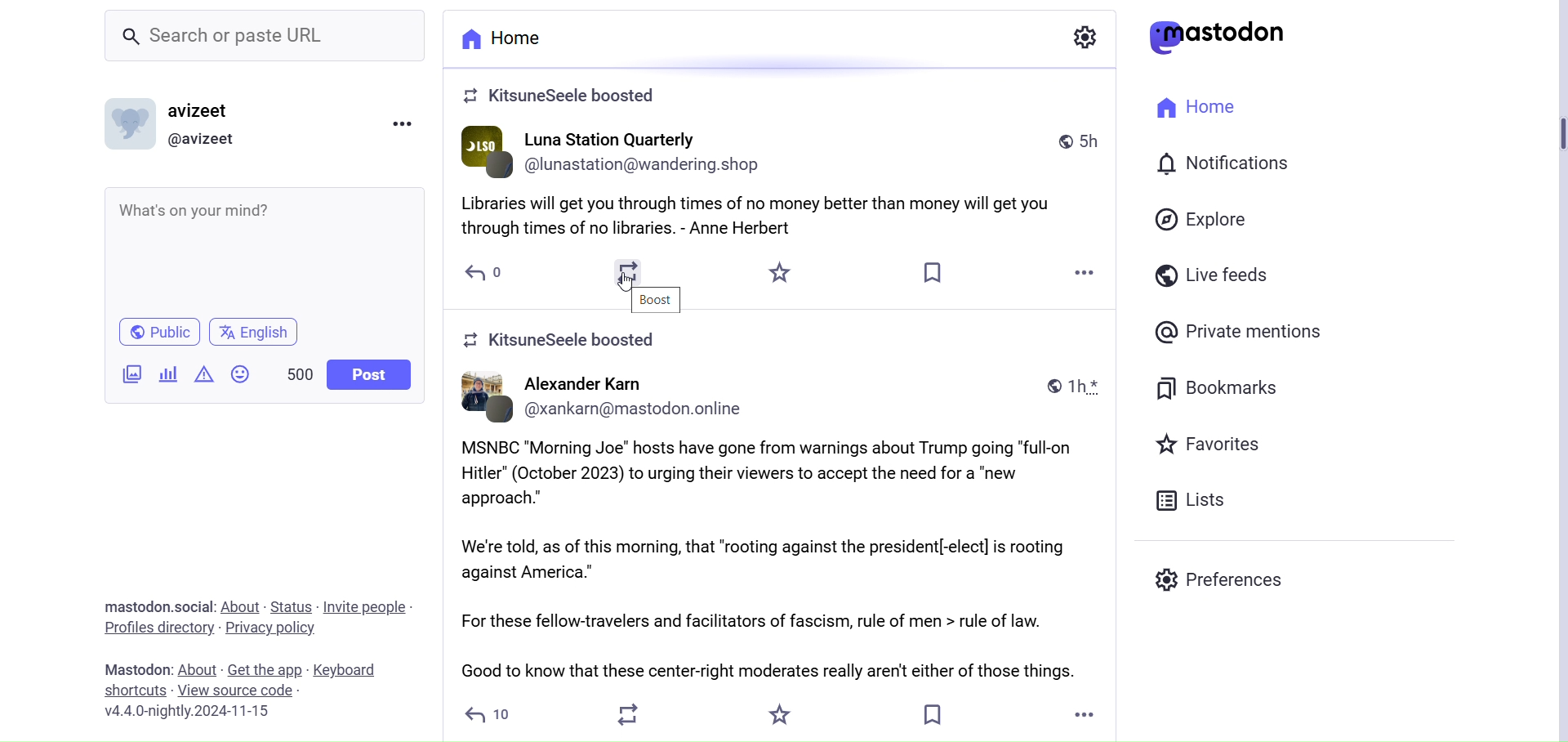 Image resolution: width=1568 pixels, height=742 pixels. What do you see at coordinates (634, 272) in the screenshot?
I see `Boost` at bounding box center [634, 272].